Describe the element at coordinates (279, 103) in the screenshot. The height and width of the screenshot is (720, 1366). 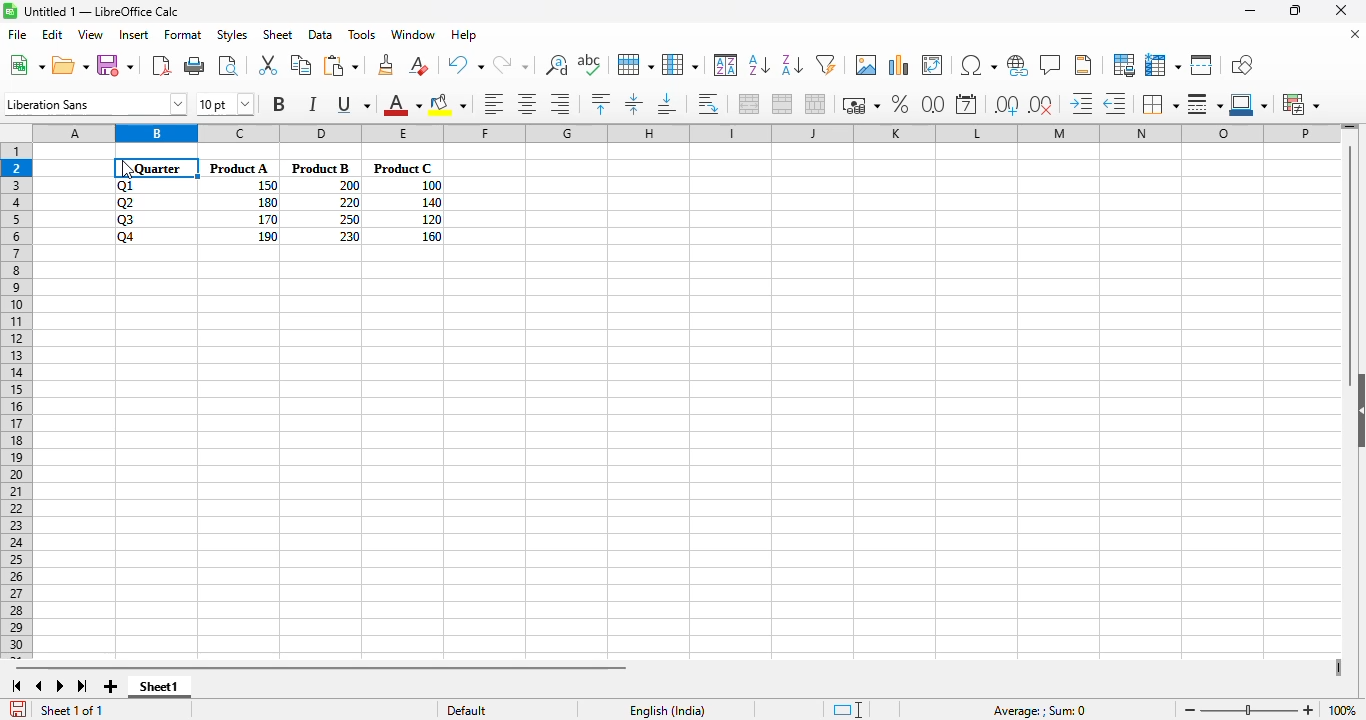
I see `bold` at that location.